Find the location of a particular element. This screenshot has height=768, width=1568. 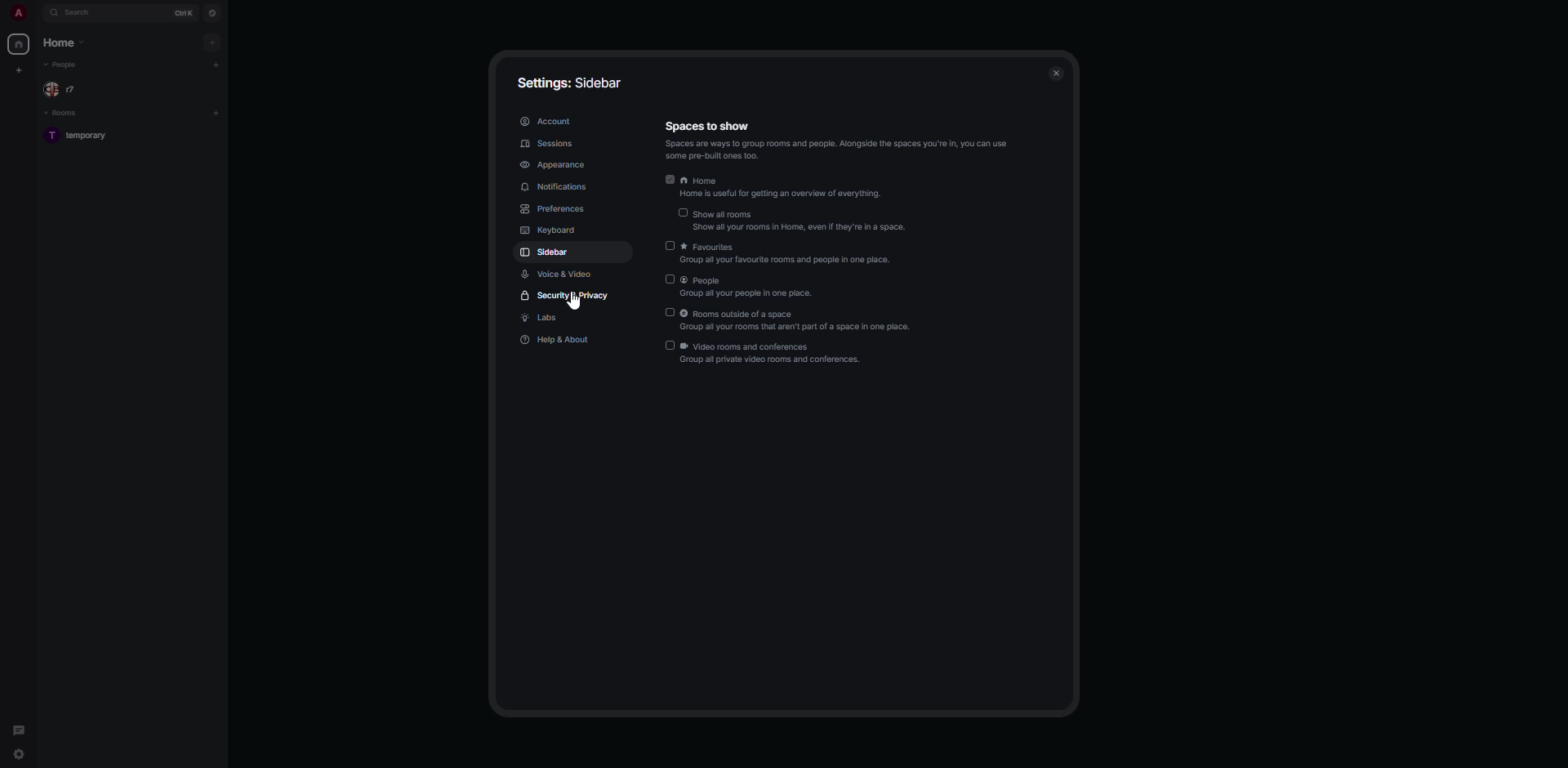

create space is located at coordinates (21, 70).